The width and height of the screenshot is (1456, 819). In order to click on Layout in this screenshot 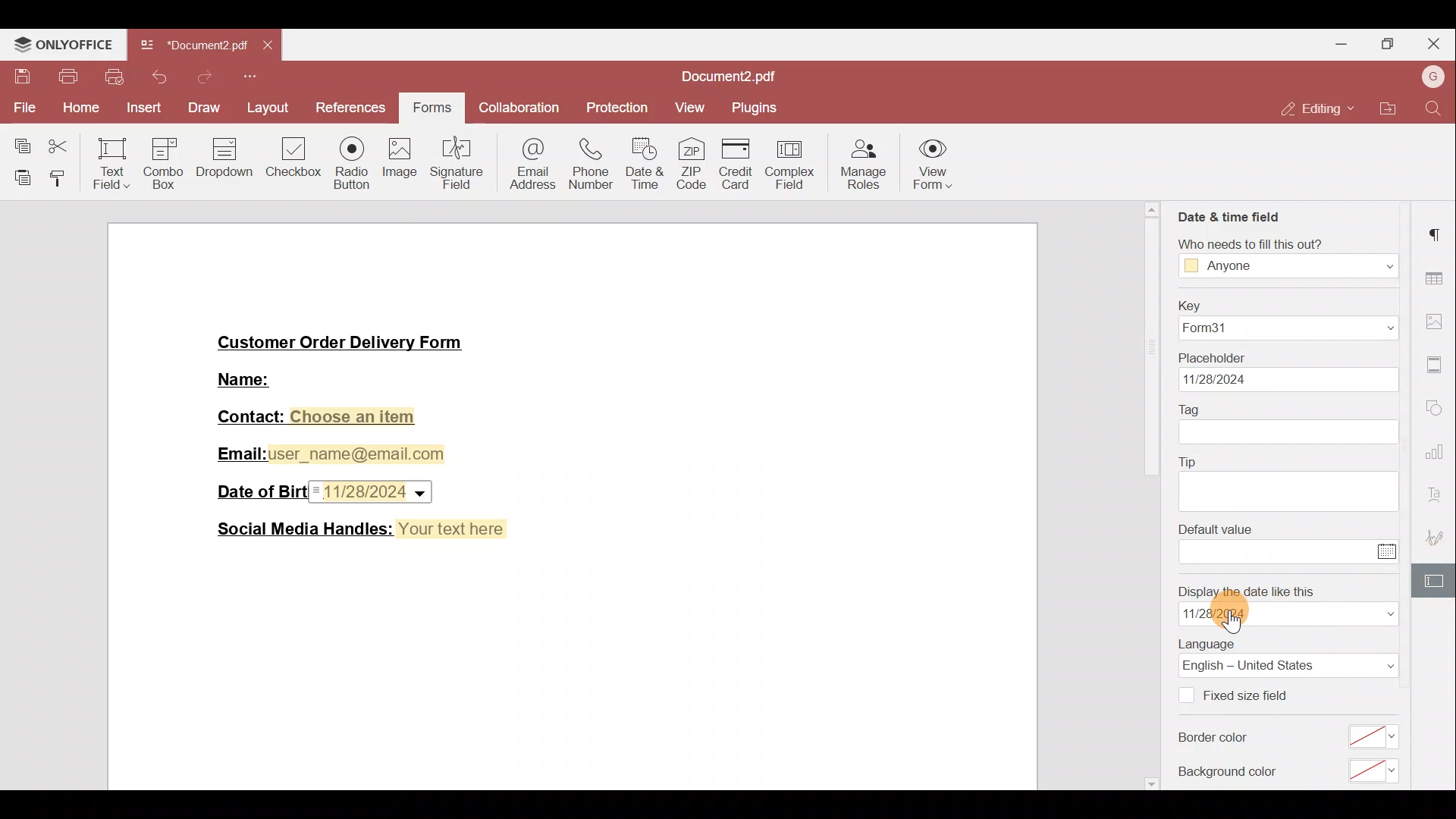, I will do `click(269, 111)`.